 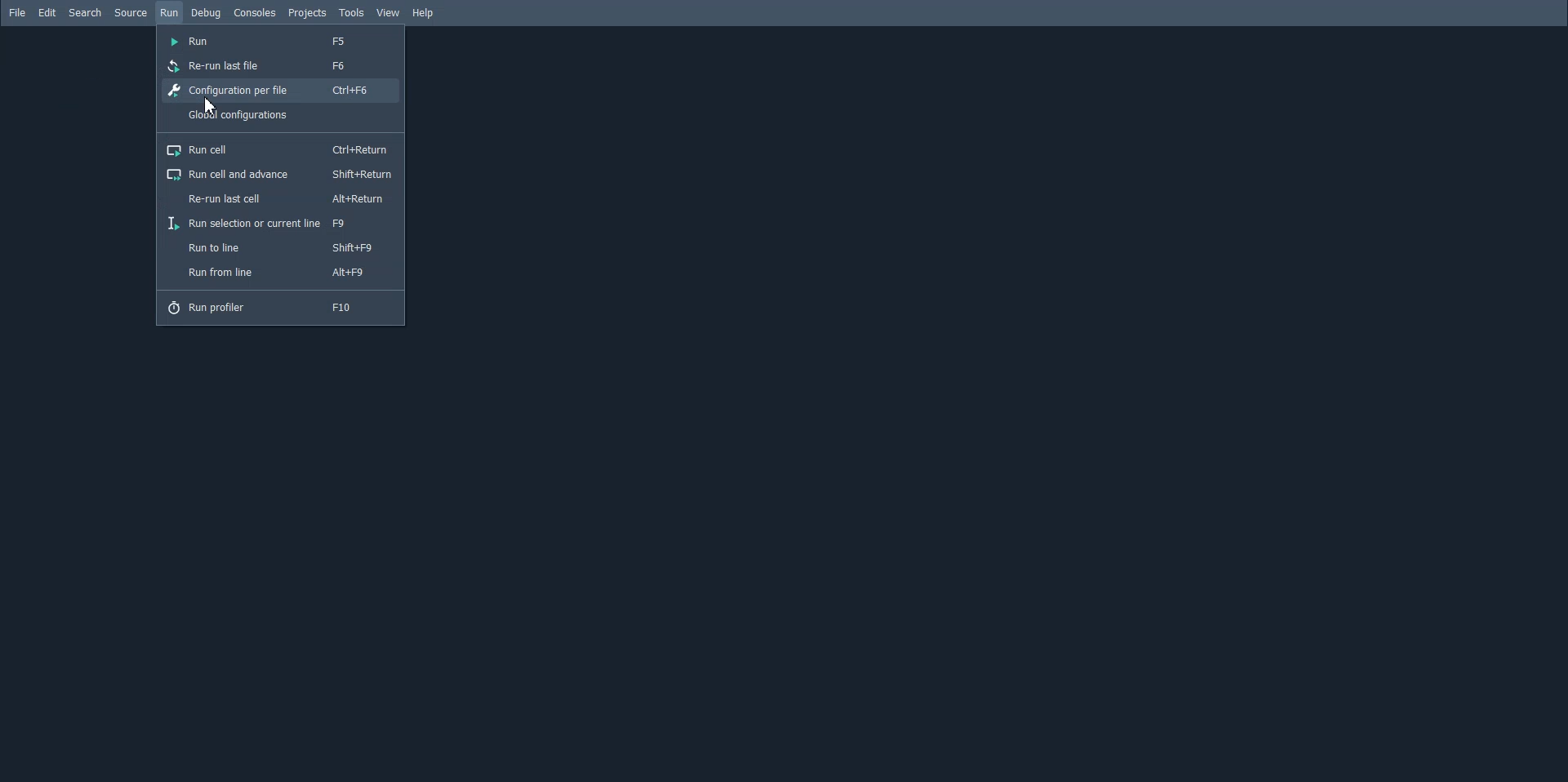 What do you see at coordinates (48, 12) in the screenshot?
I see `Edit` at bounding box center [48, 12].